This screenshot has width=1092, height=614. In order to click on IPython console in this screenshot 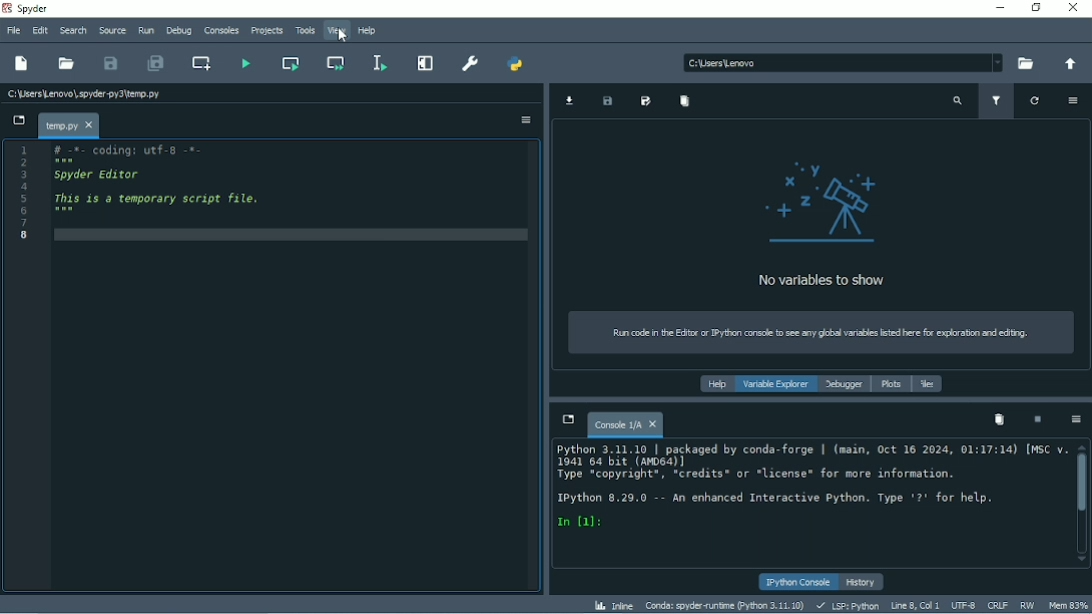, I will do `click(798, 583)`.